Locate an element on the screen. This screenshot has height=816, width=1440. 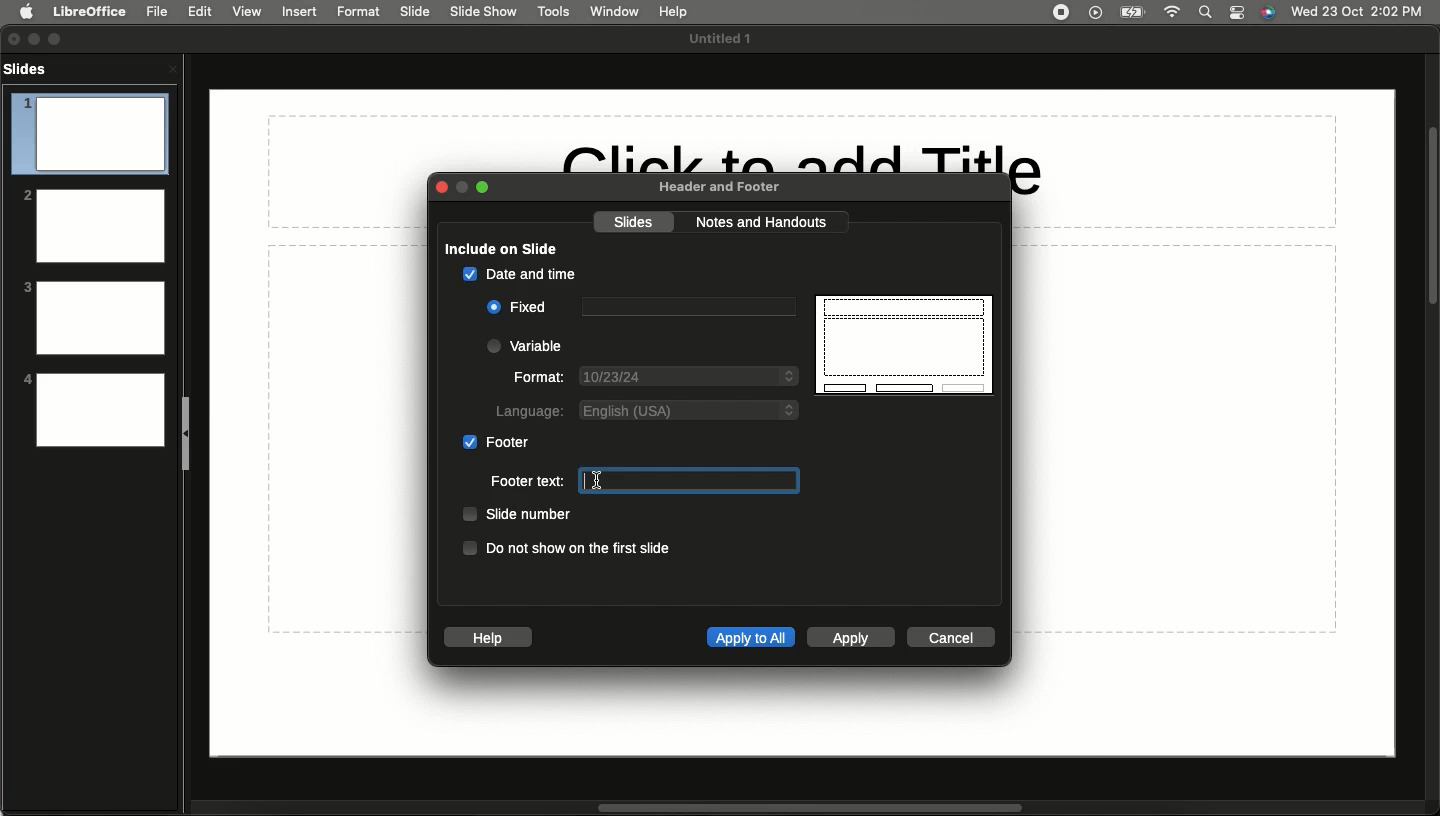
Minimize is located at coordinates (39, 39).